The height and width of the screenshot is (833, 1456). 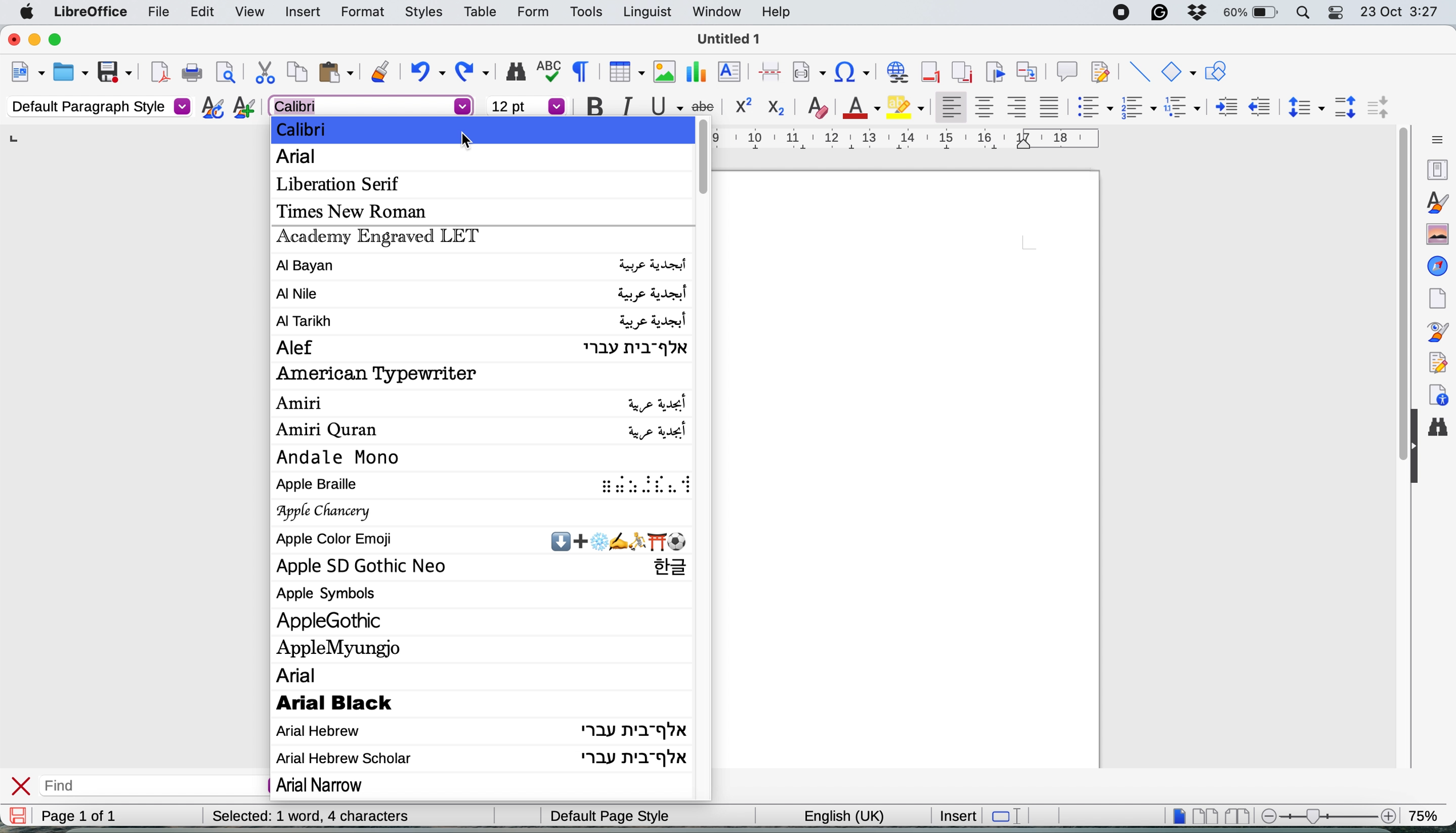 What do you see at coordinates (482, 759) in the screenshot?
I see `arial hebrew scholar` at bounding box center [482, 759].